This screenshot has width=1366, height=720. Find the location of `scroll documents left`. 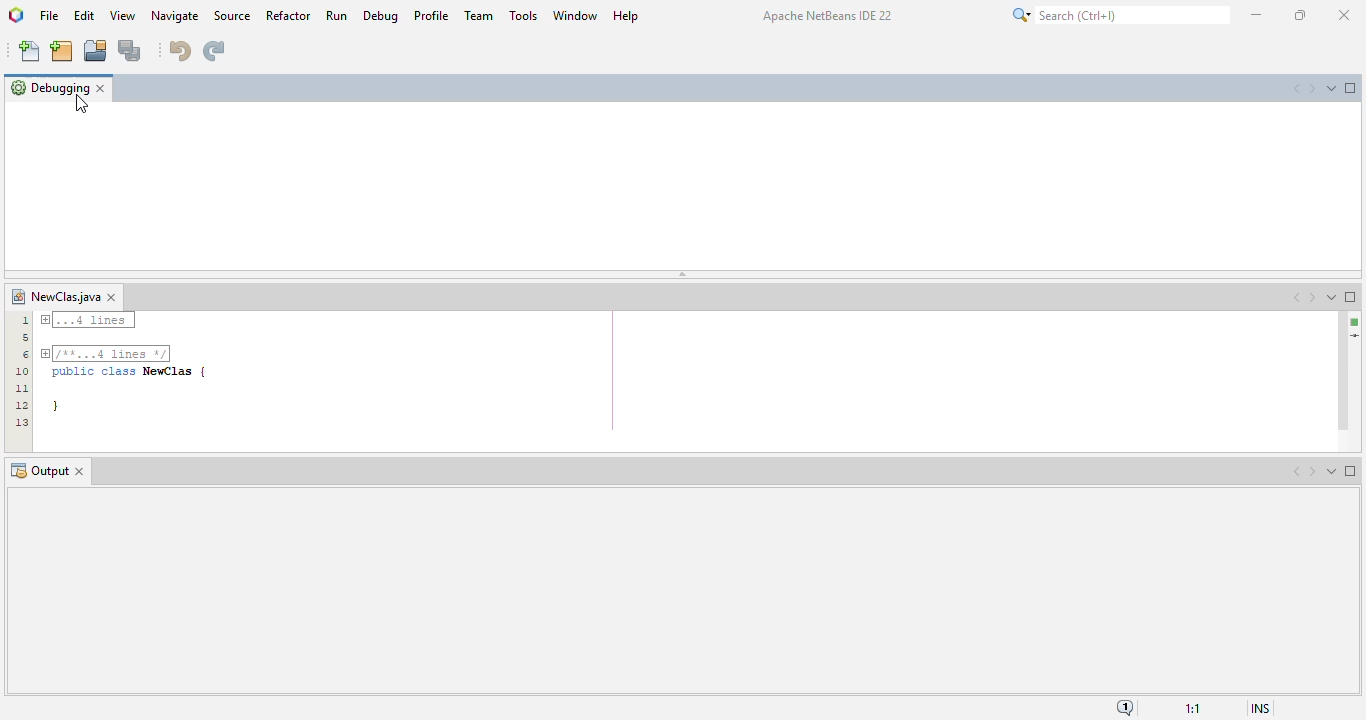

scroll documents left is located at coordinates (1297, 471).